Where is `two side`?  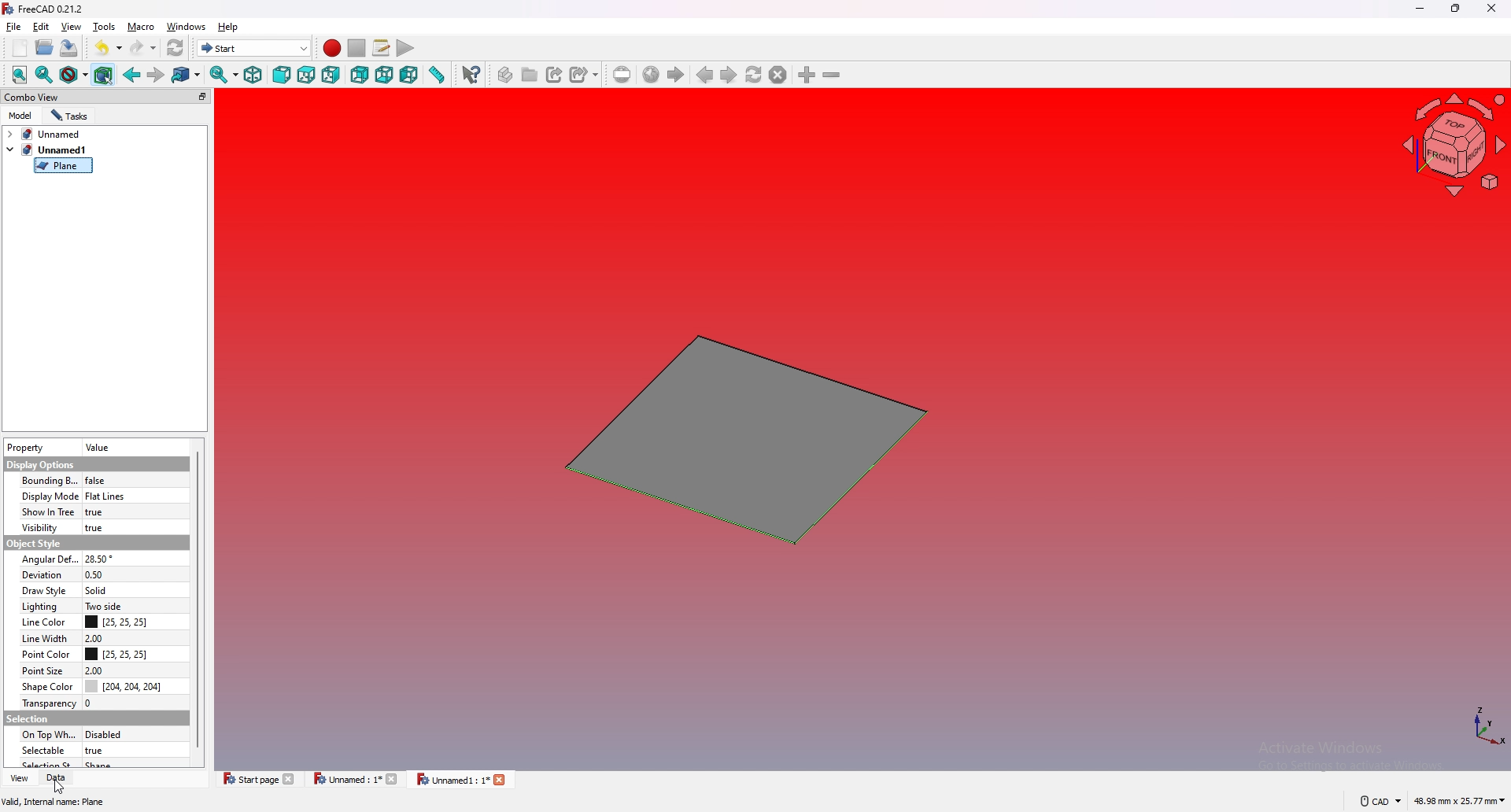
two side is located at coordinates (104, 606).